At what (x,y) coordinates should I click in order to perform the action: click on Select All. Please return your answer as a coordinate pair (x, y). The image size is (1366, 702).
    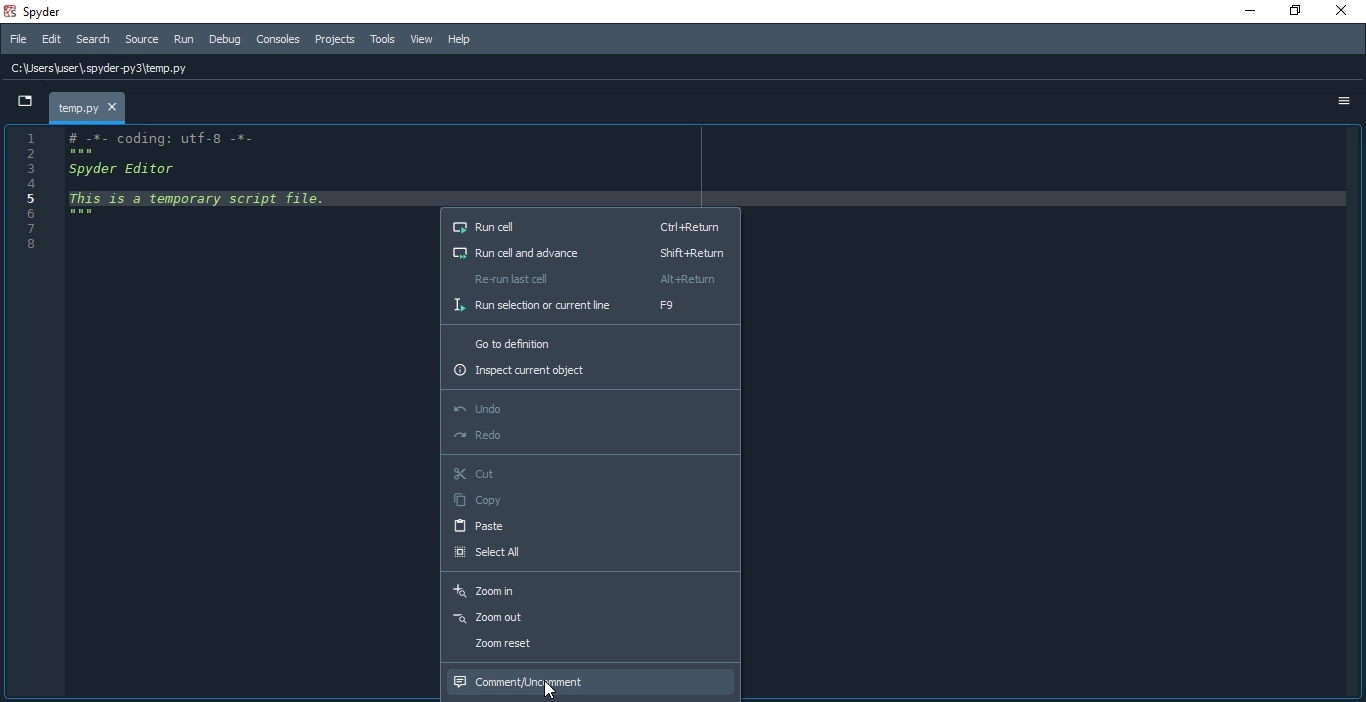
    Looking at the image, I should click on (591, 556).